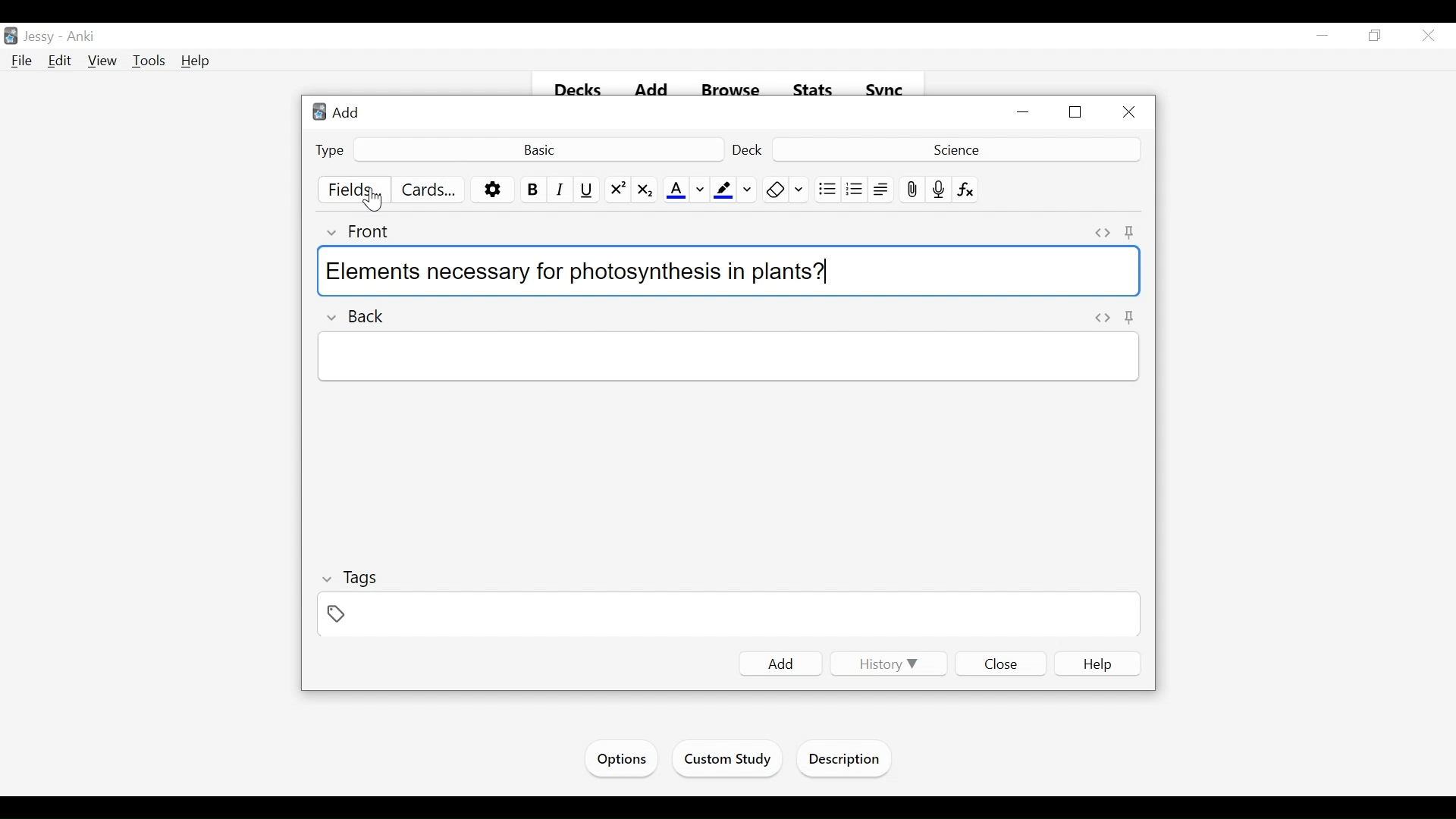  I want to click on Text Highlight Color, so click(722, 190).